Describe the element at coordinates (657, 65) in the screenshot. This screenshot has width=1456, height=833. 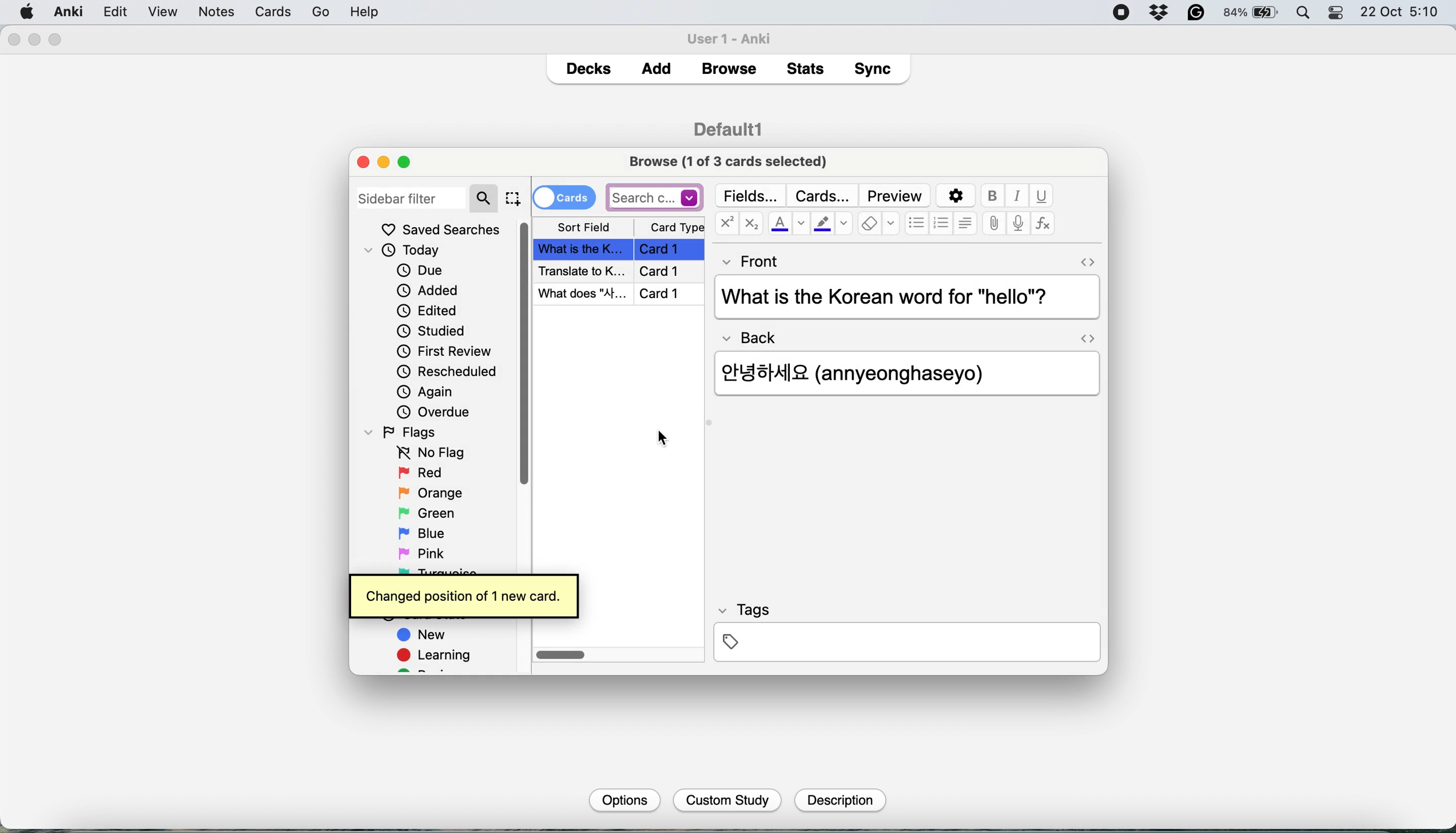
I see `Add` at that location.